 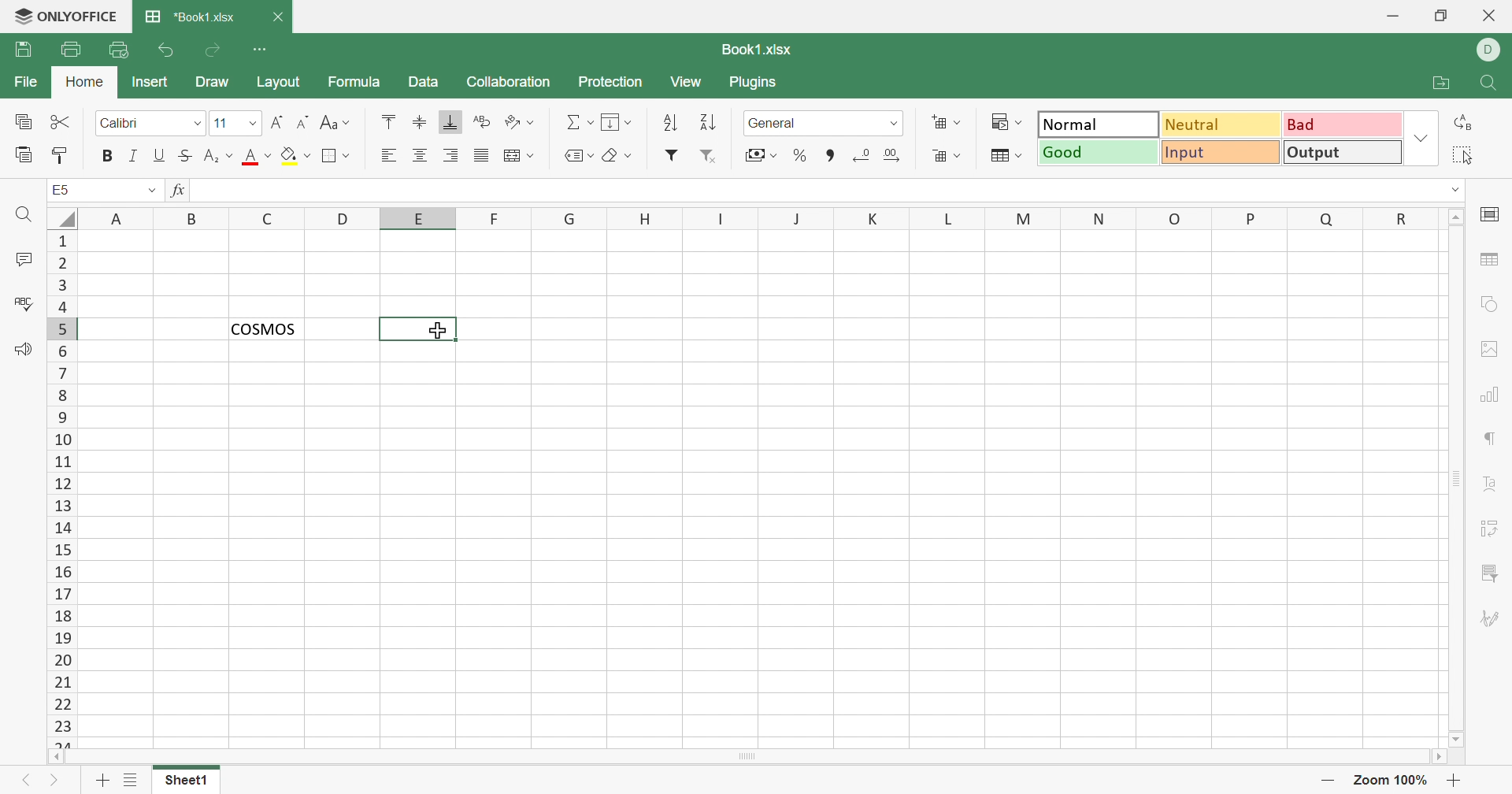 I want to click on Insert, so click(x=151, y=83).